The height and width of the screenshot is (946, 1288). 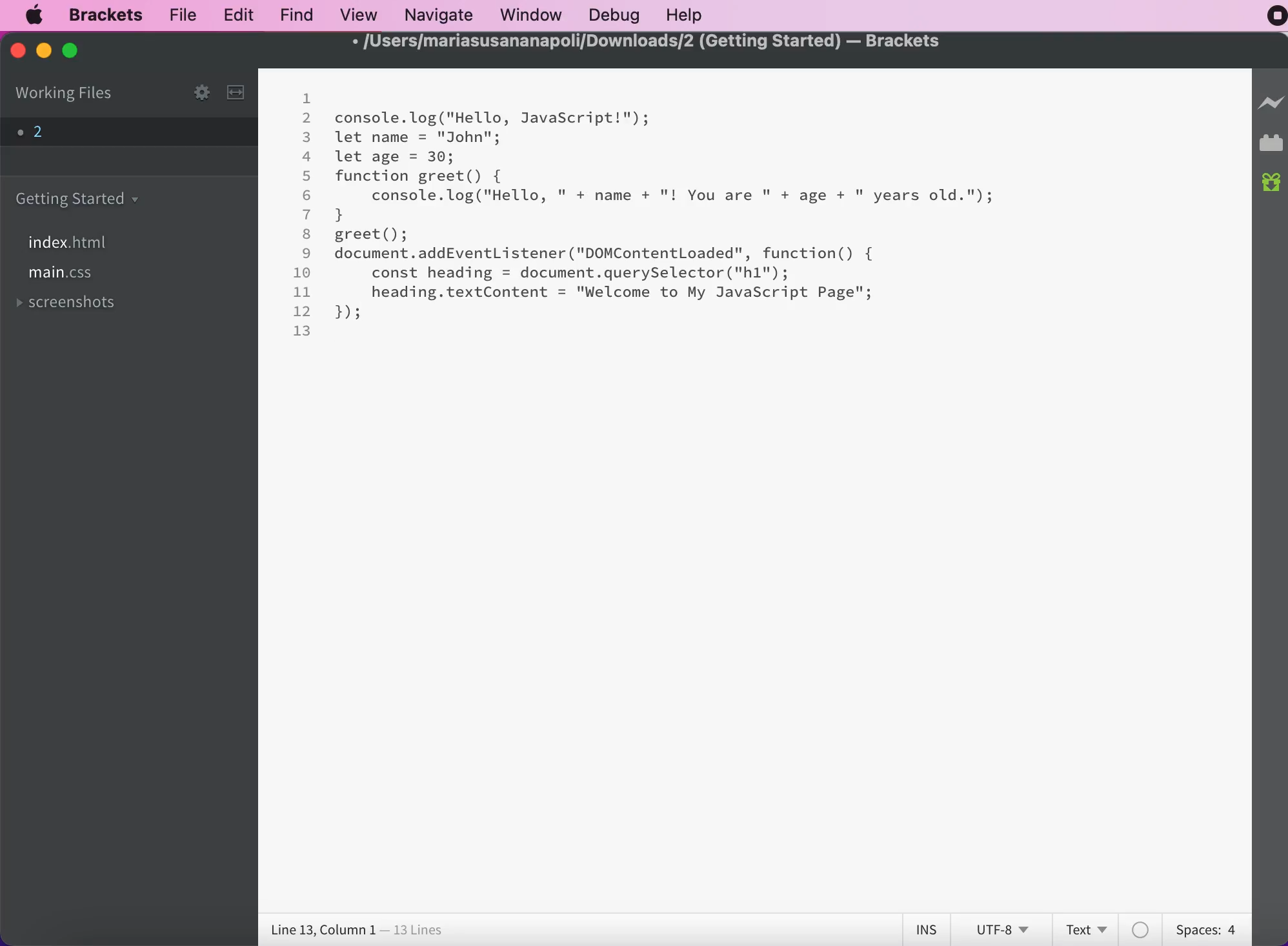 I want to click on new build of brackets, so click(x=1271, y=186).